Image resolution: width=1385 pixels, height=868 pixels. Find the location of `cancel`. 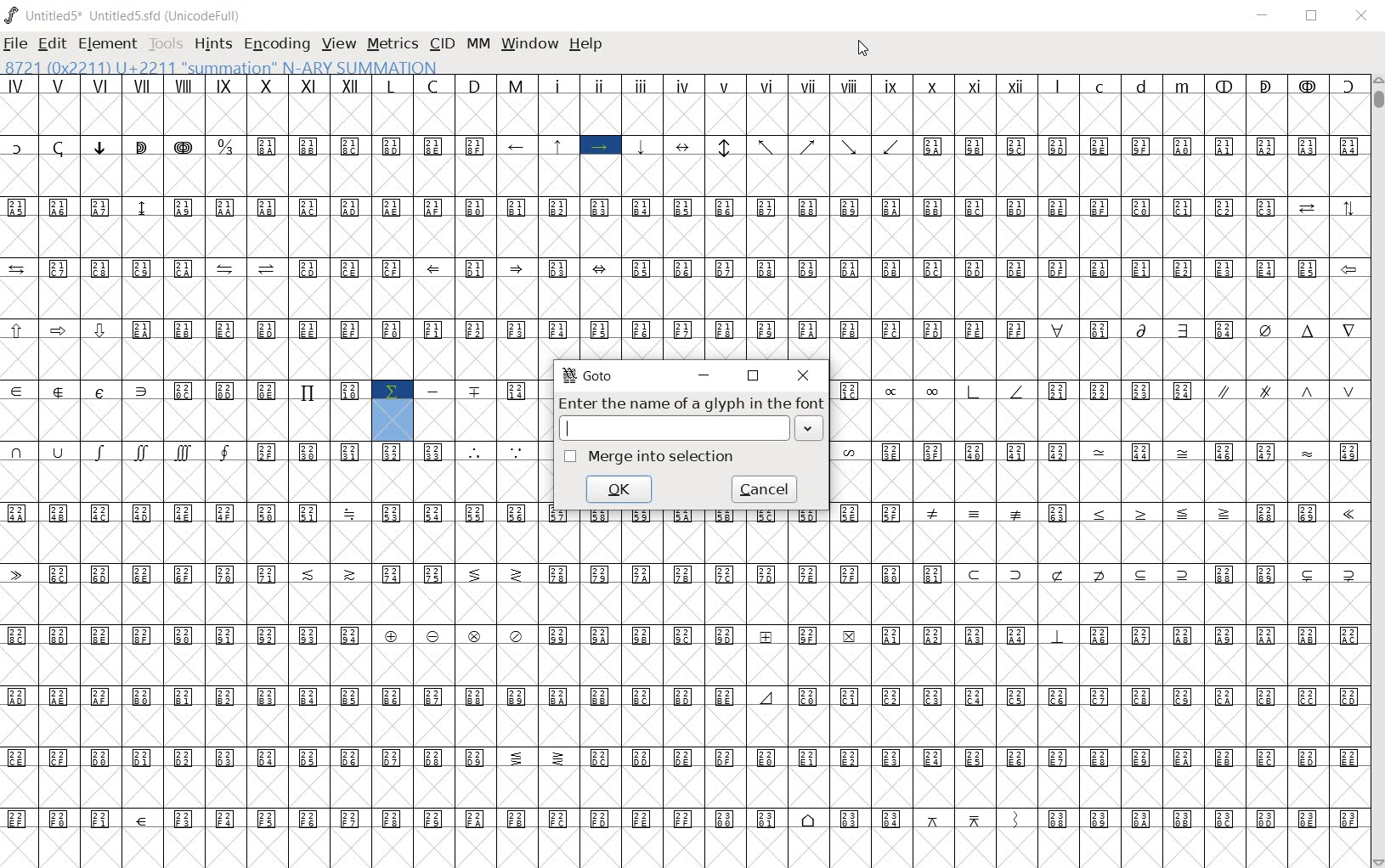

cancel is located at coordinates (761, 489).